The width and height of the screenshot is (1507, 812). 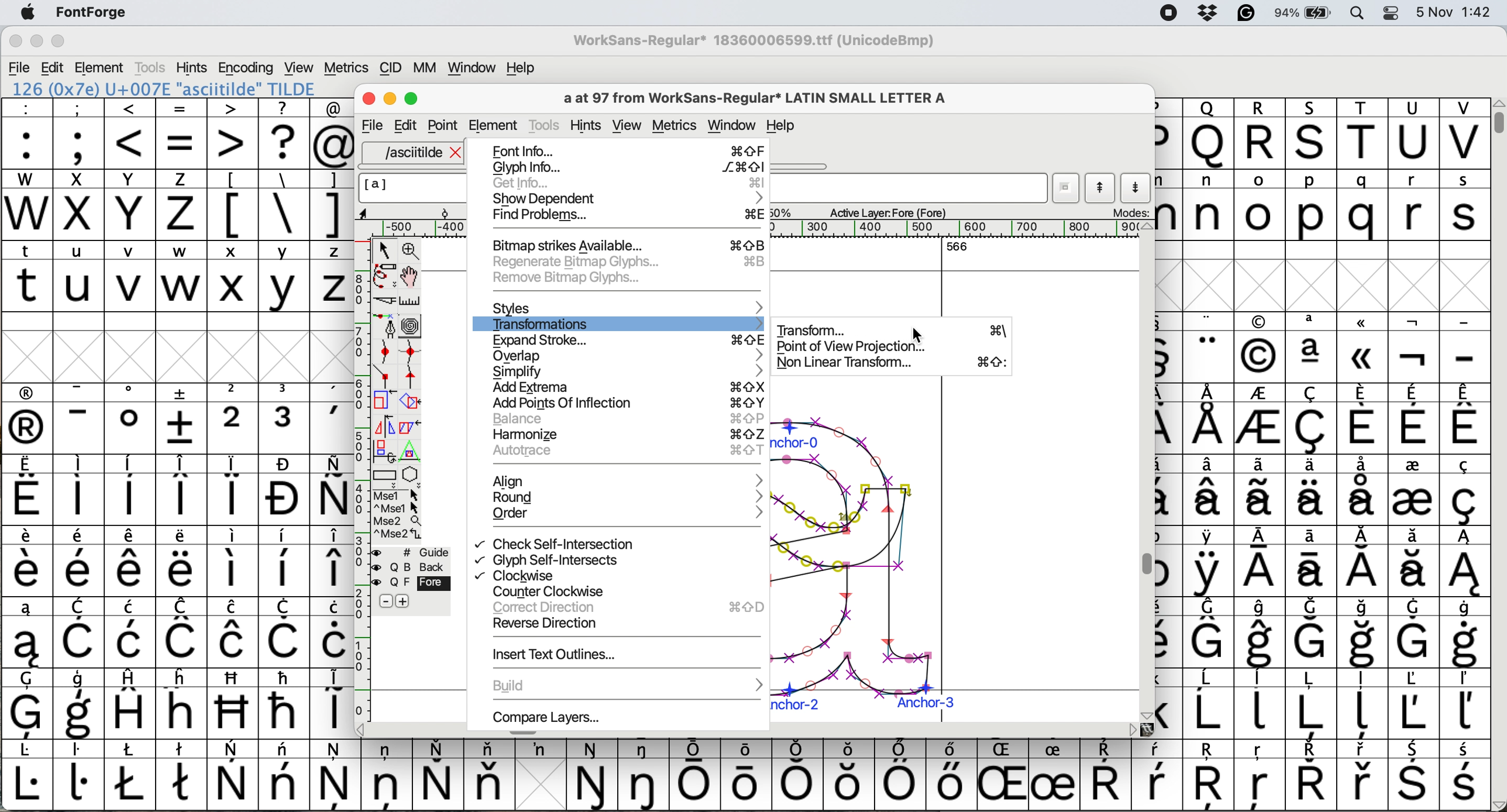 I want to click on maximise, so click(x=59, y=44).